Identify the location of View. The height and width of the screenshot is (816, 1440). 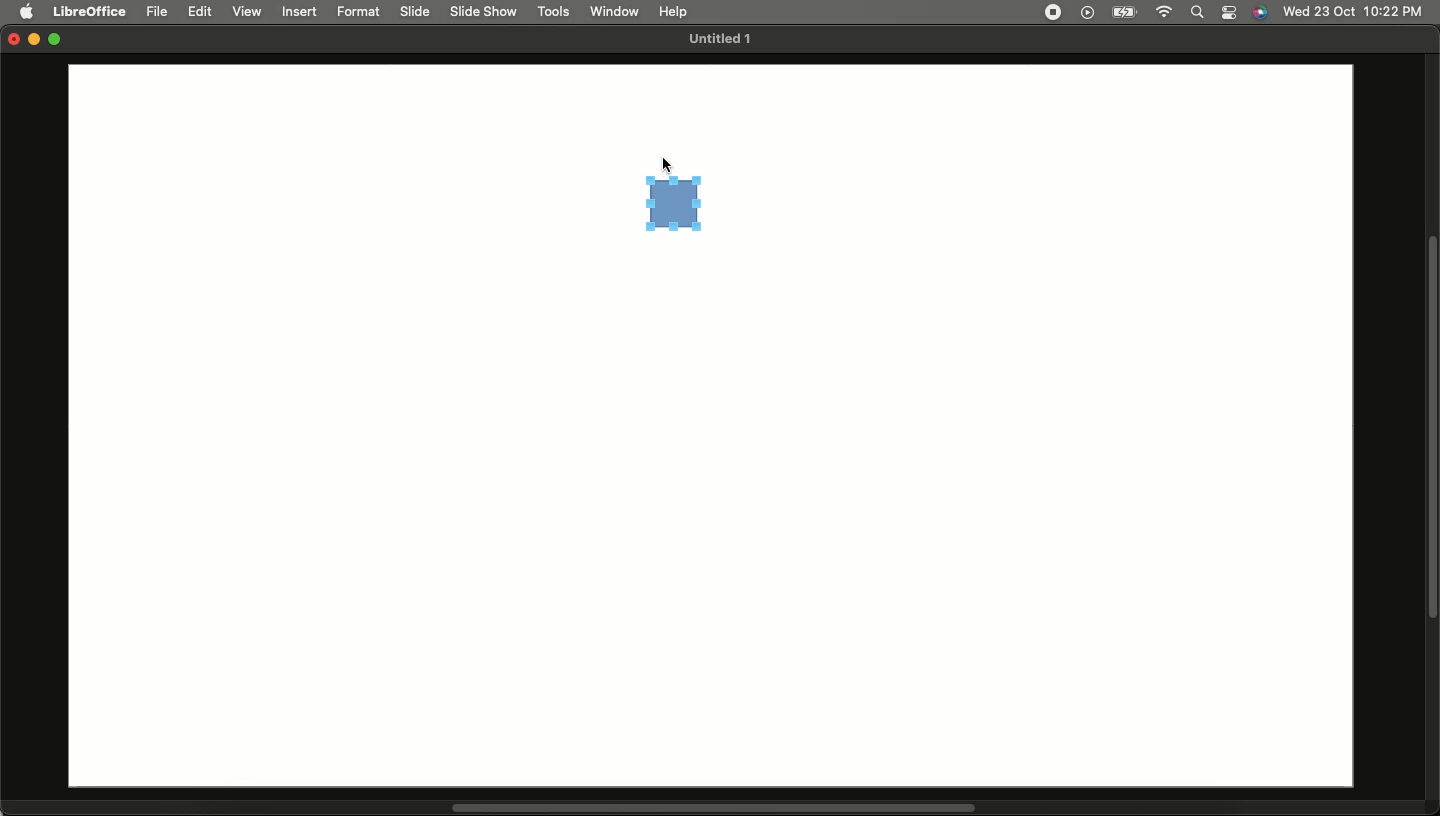
(248, 12).